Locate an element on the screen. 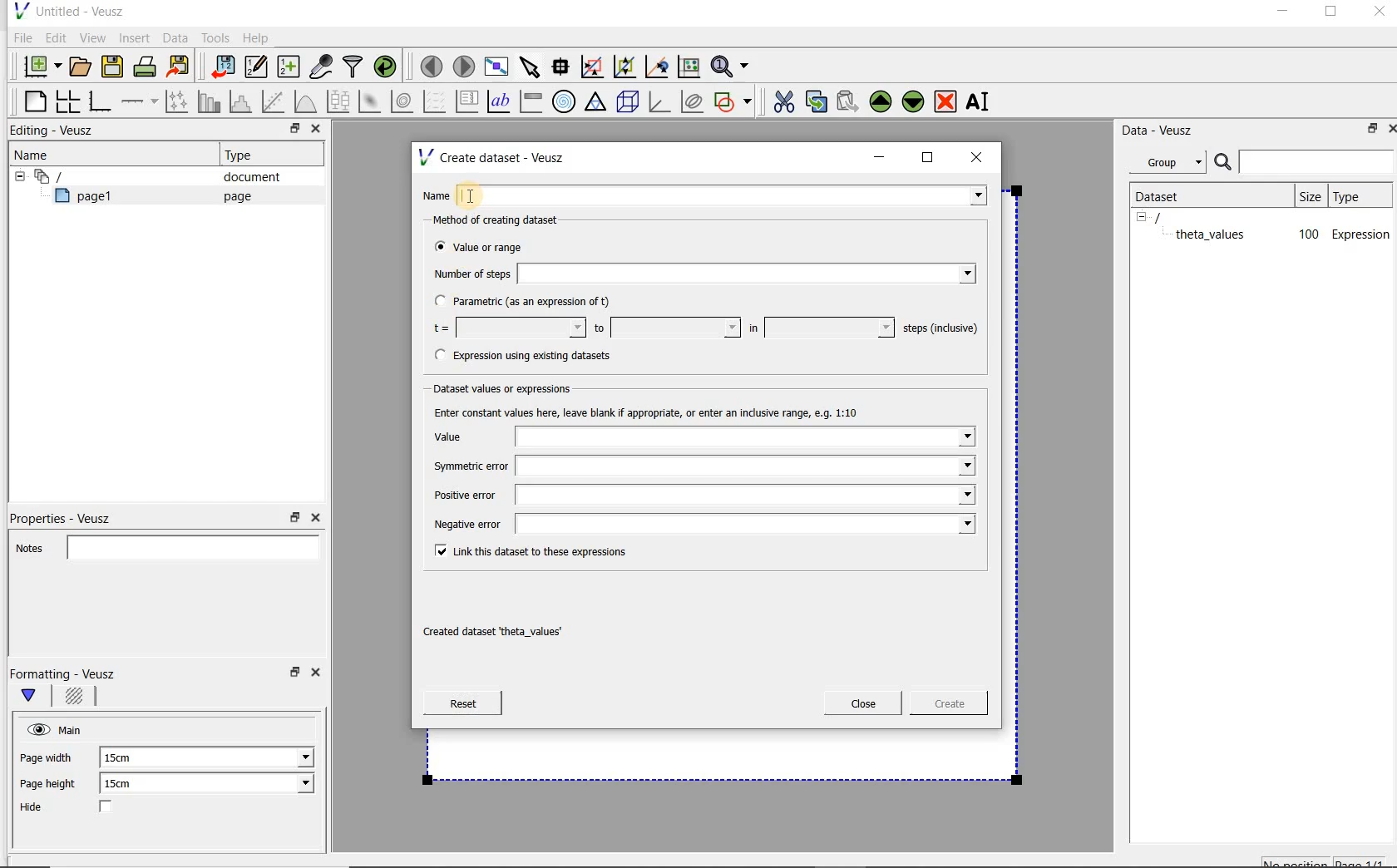 The image size is (1397, 868). 15cm is located at coordinates (126, 758).